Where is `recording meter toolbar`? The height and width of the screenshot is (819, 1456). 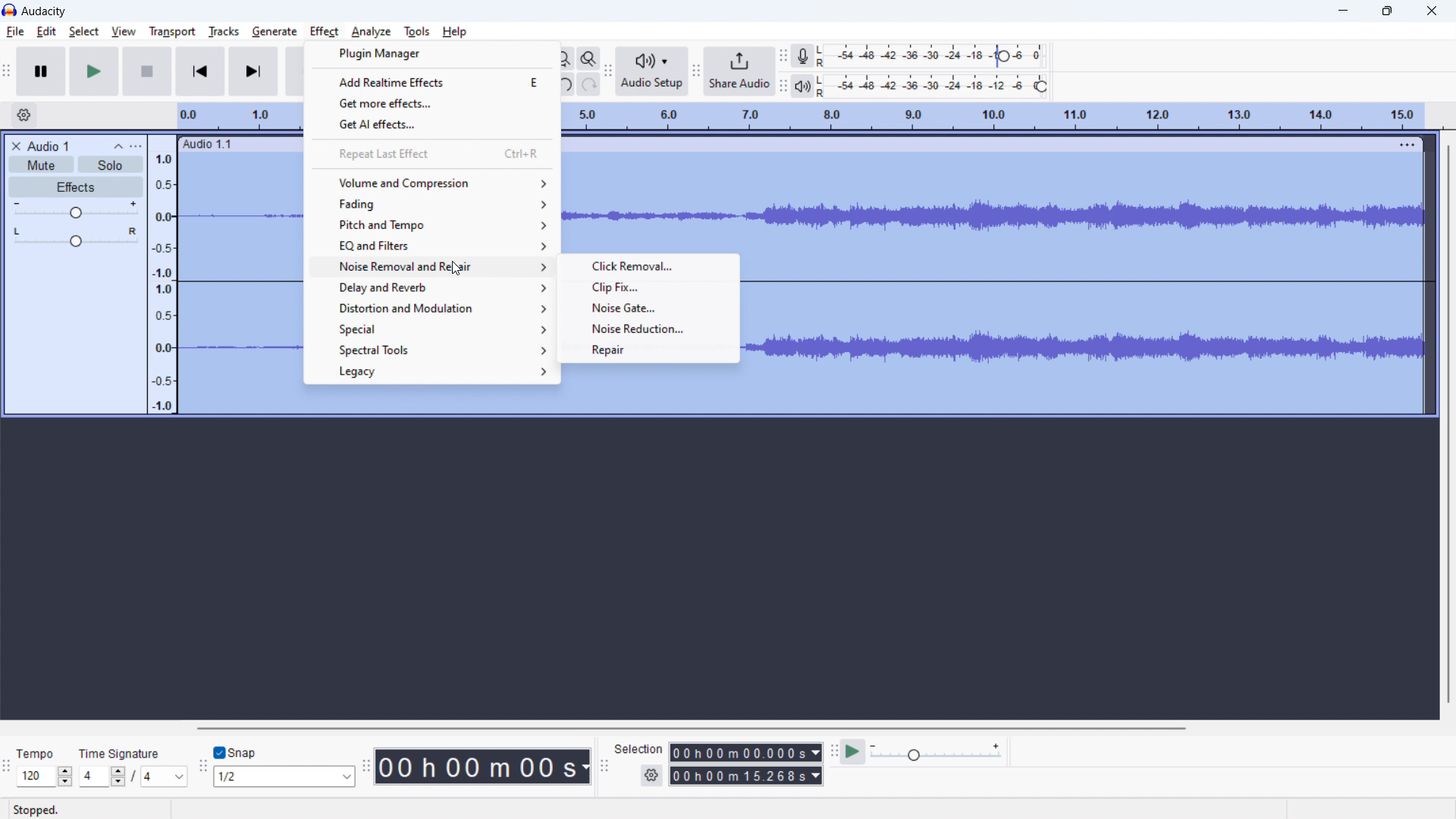 recording meter toolbar is located at coordinates (783, 56).